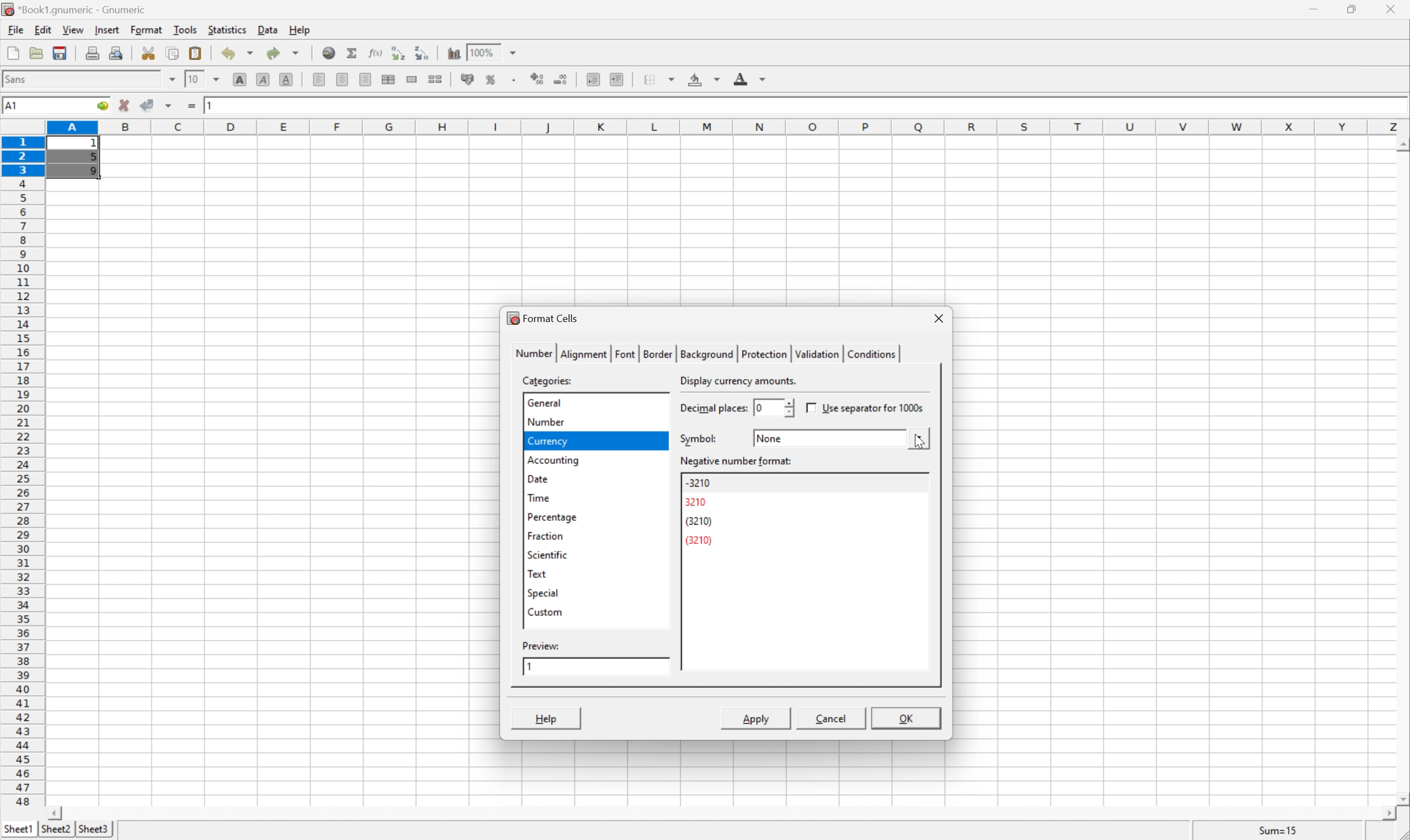  What do you see at coordinates (618, 79) in the screenshot?
I see `increase indent` at bounding box center [618, 79].